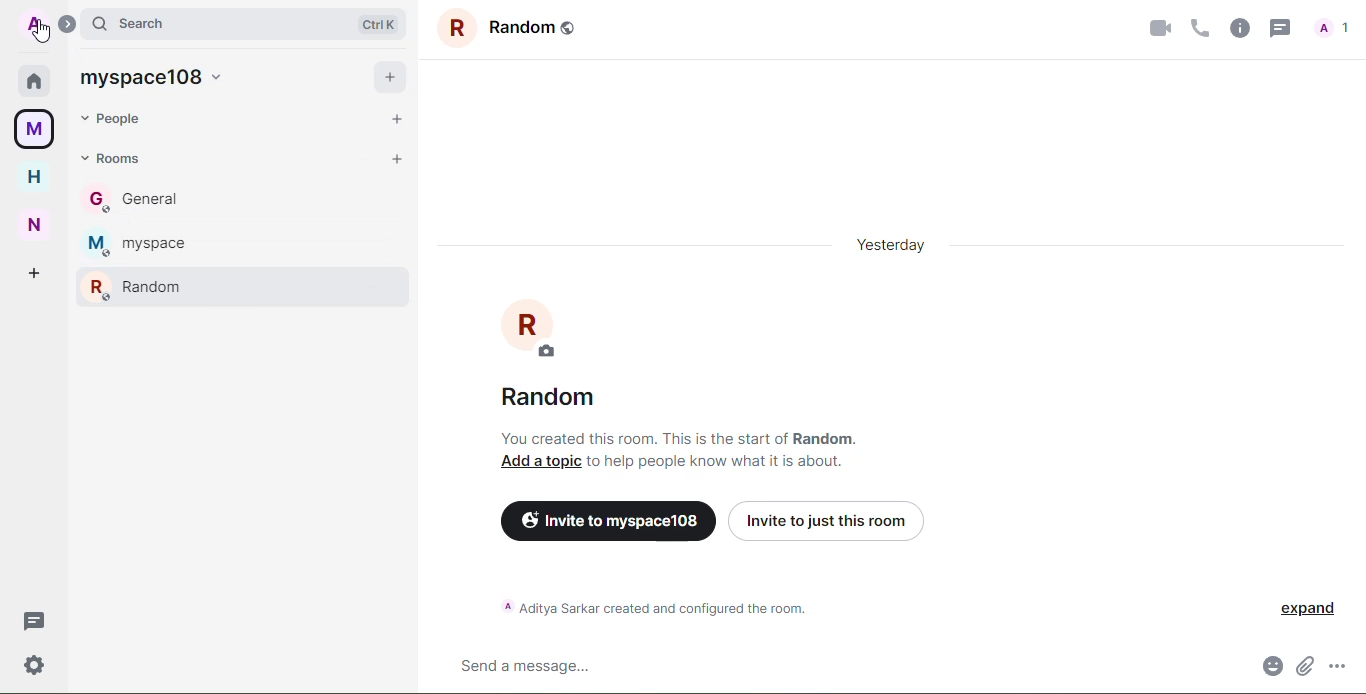  I want to click on add, so click(398, 158).